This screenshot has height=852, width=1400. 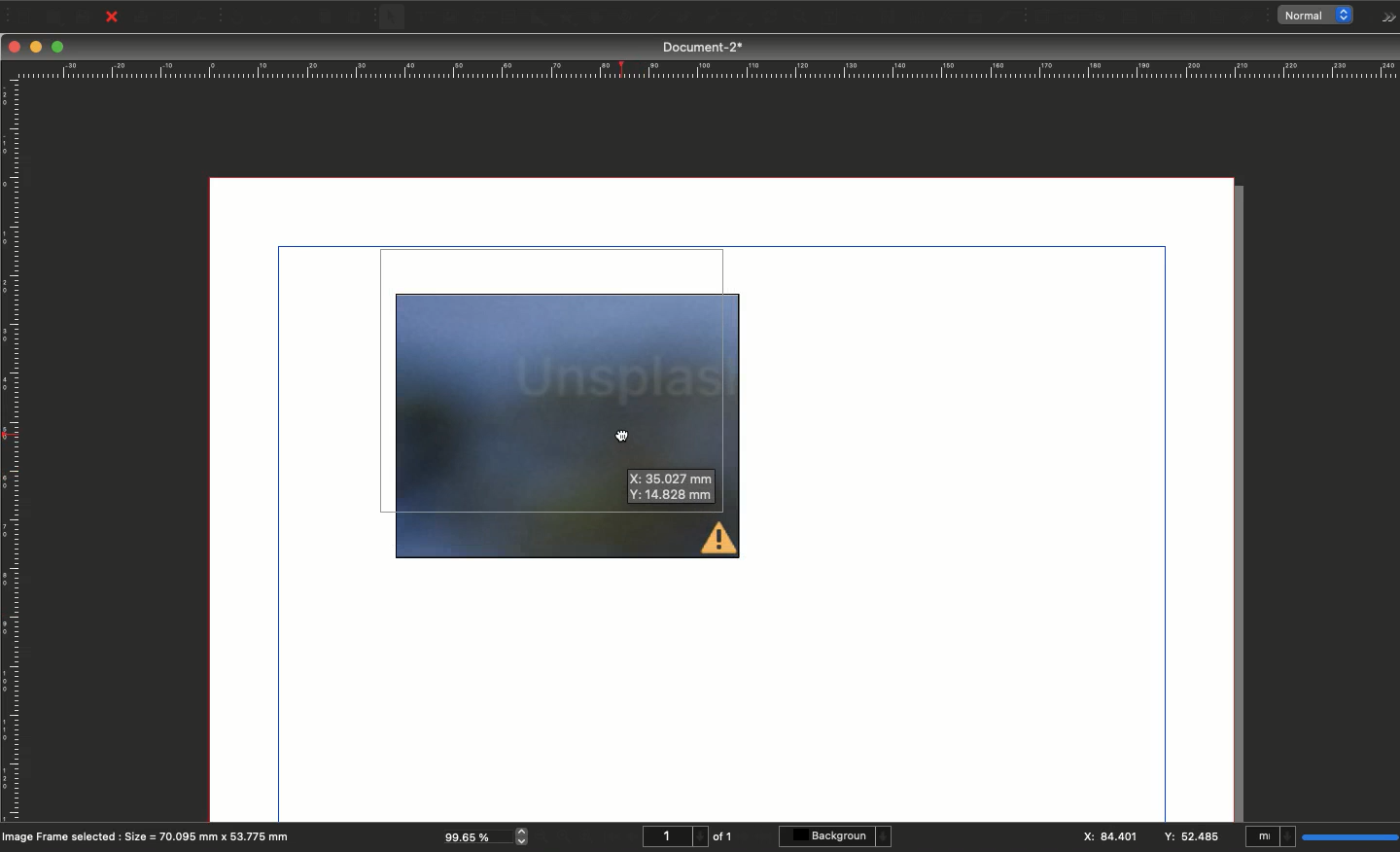 What do you see at coordinates (674, 486) in the screenshot?
I see `X: 35.027 mm Y:14.828 mm` at bounding box center [674, 486].